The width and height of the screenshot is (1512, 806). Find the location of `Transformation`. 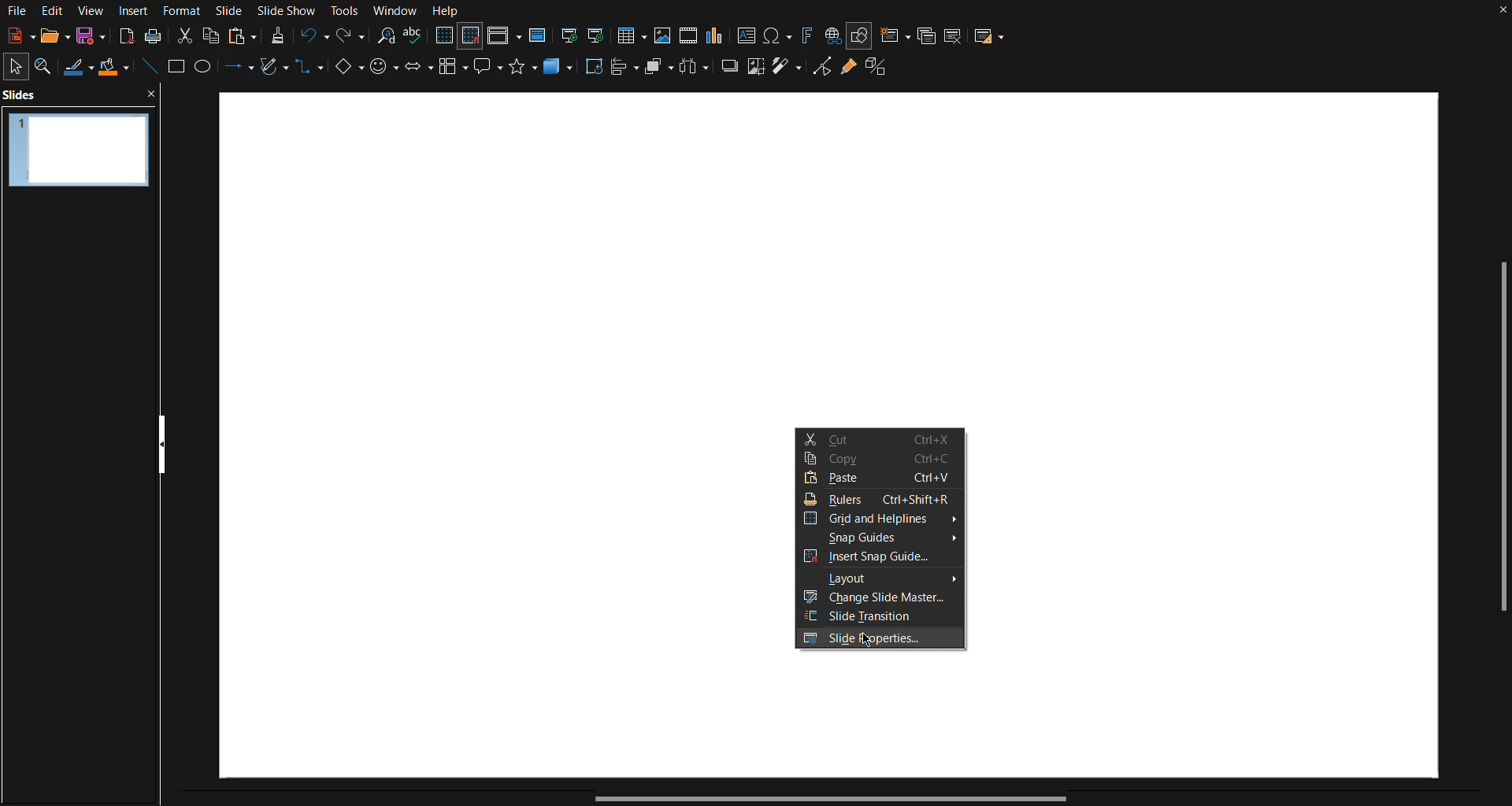

Transformation is located at coordinates (595, 71).